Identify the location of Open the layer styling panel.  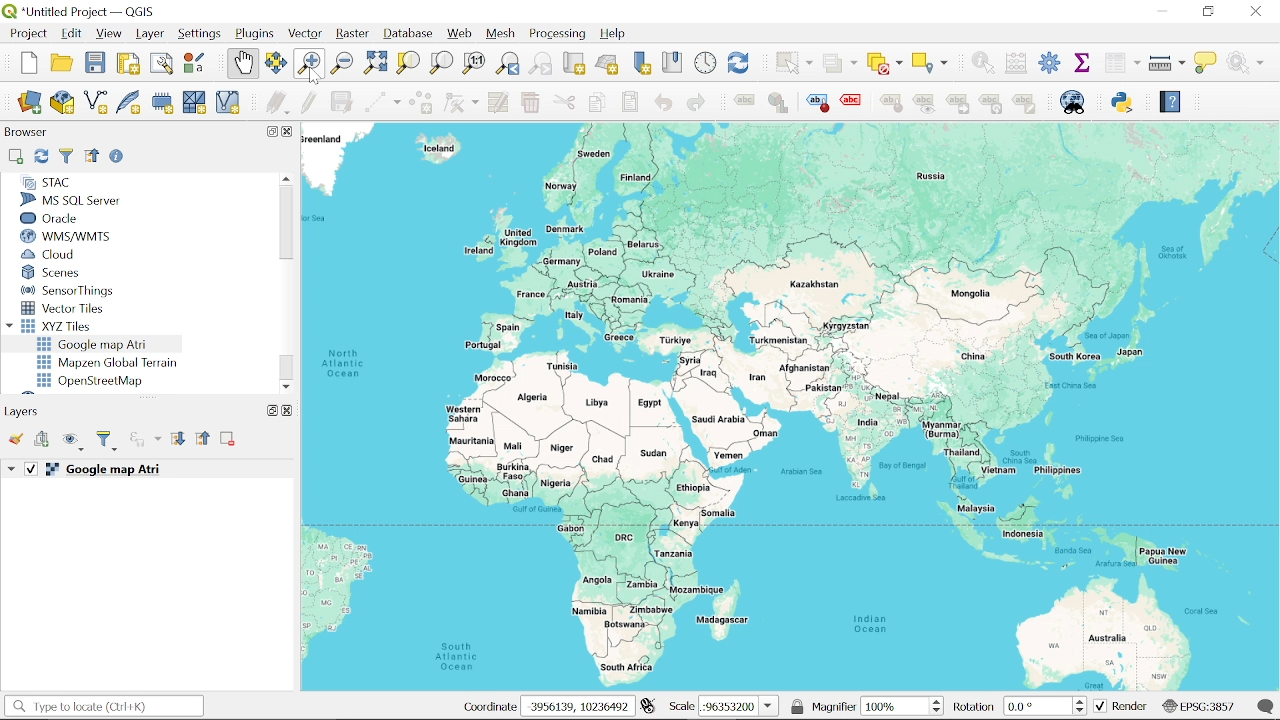
(18, 440).